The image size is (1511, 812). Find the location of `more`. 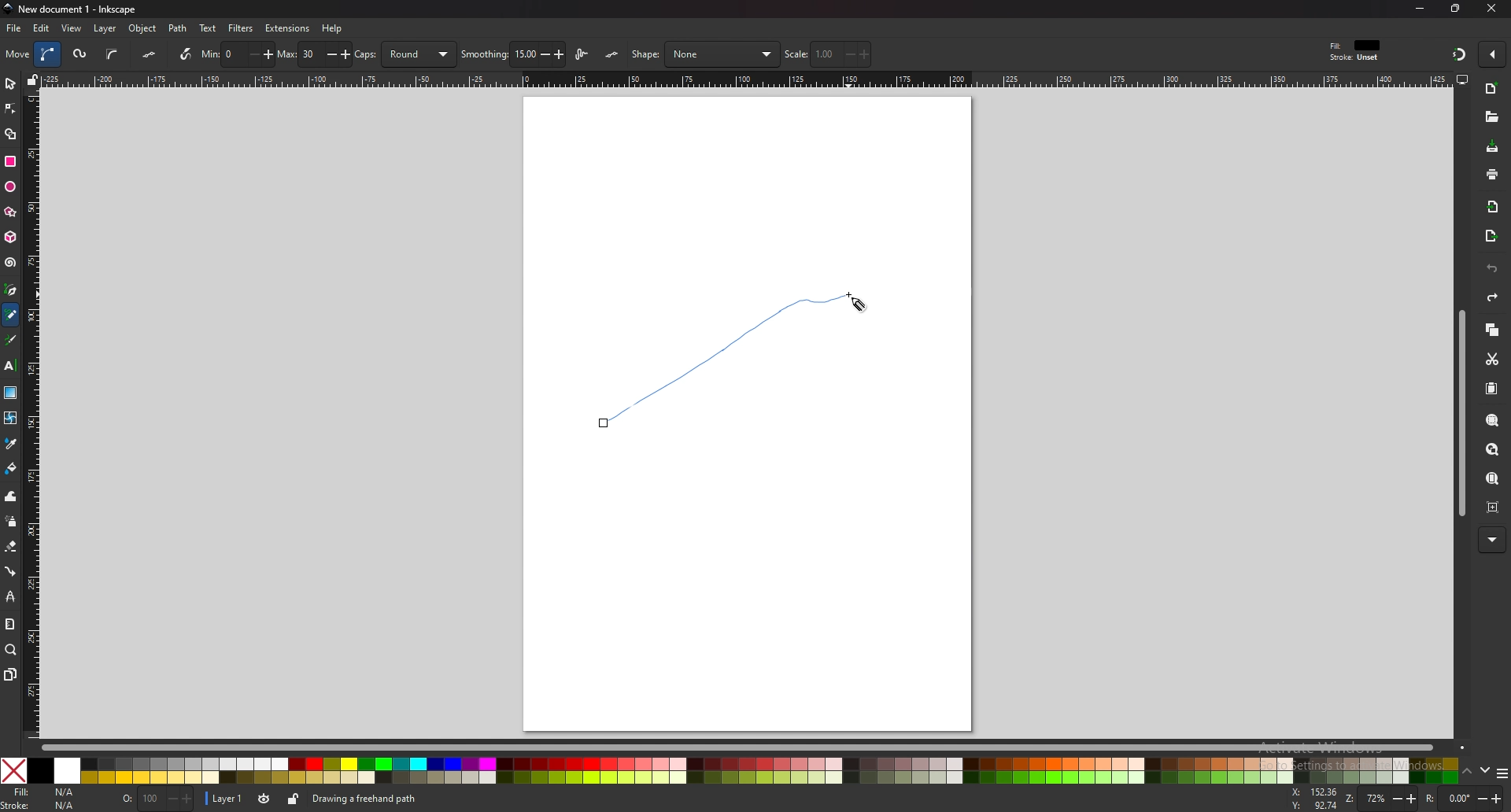

more is located at coordinates (1492, 540).